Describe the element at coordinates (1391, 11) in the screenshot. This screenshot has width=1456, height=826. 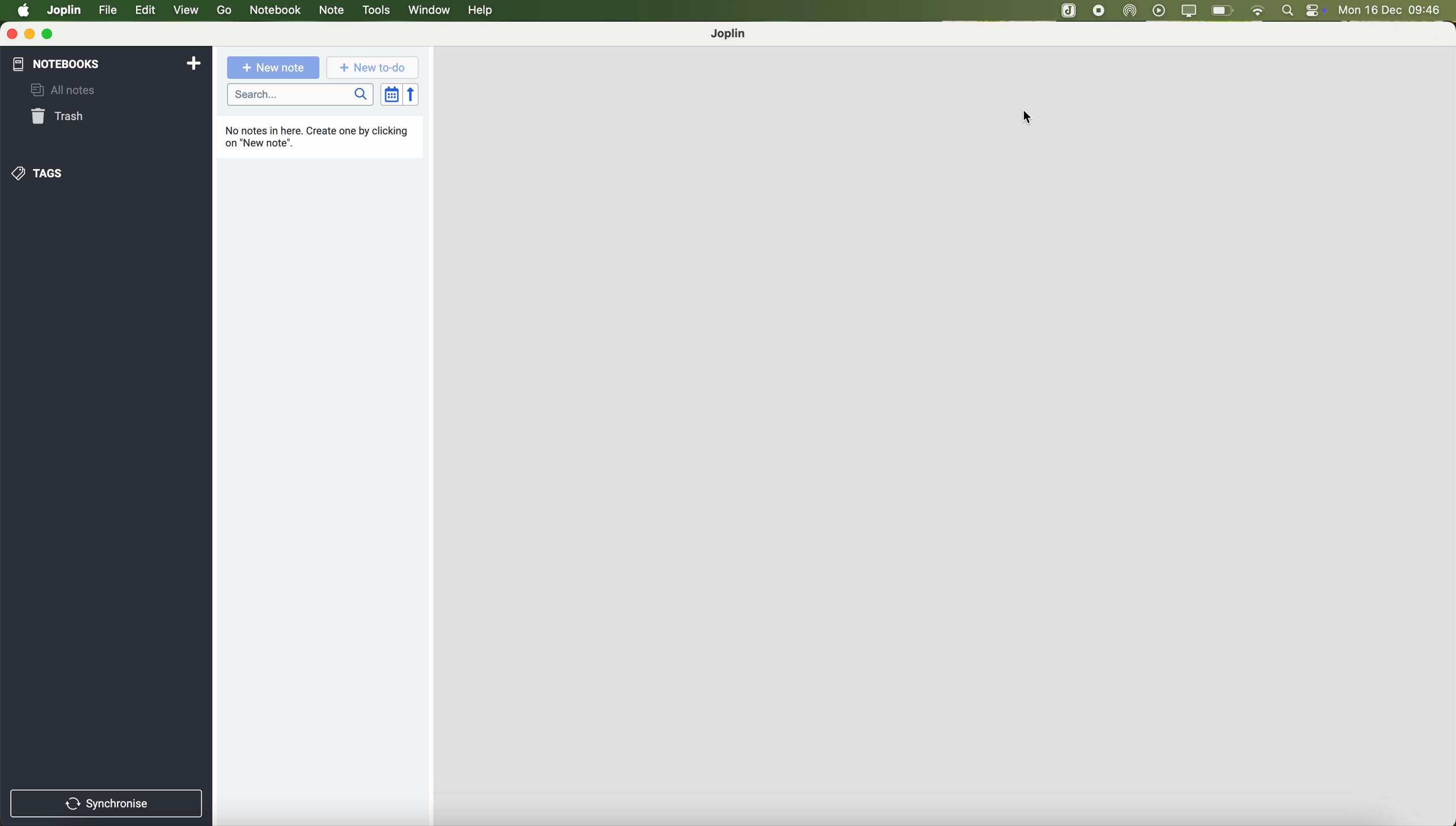
I see `Mon 16 Dec 09:45` at that location.